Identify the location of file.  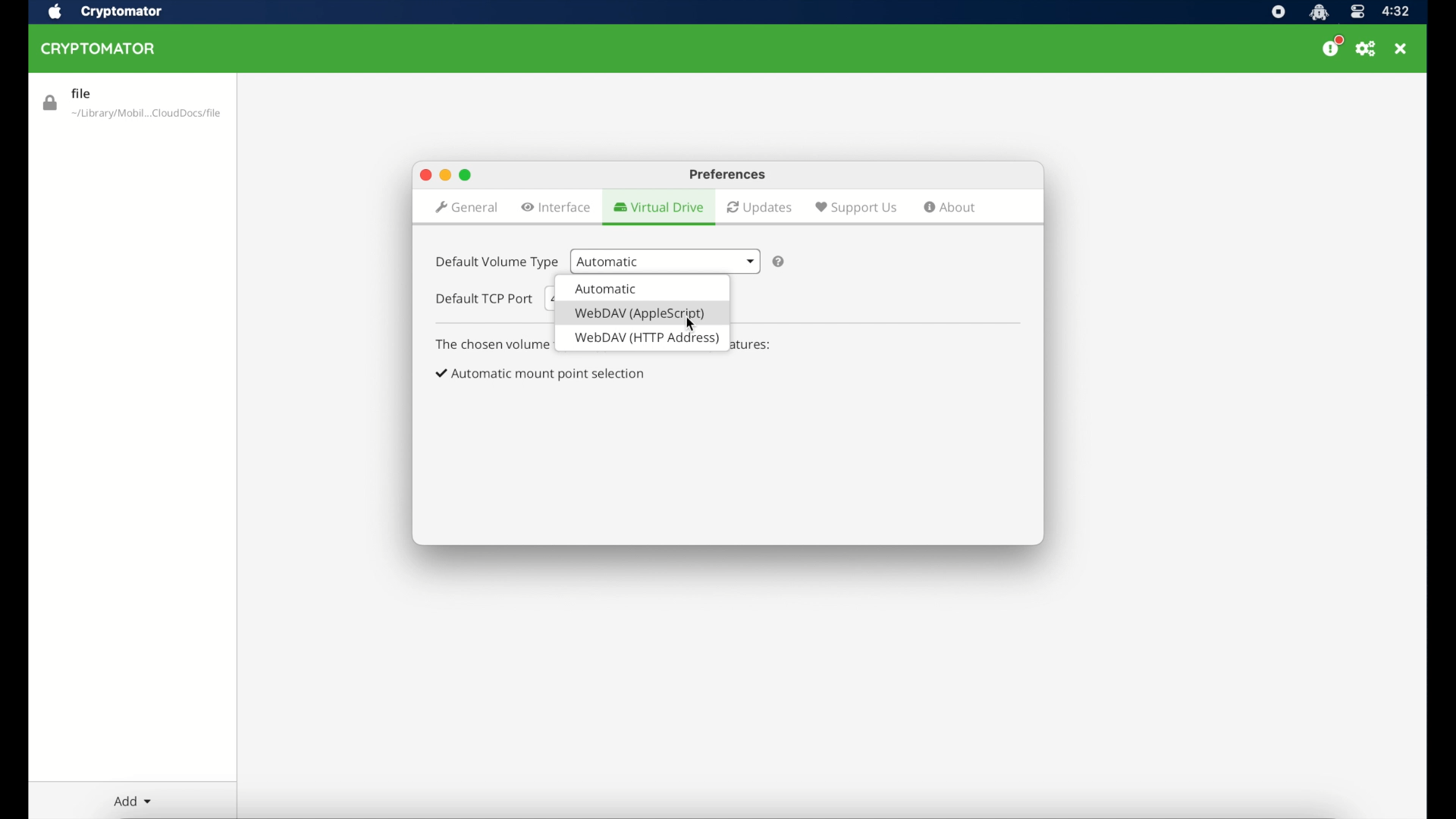
(131, 104).